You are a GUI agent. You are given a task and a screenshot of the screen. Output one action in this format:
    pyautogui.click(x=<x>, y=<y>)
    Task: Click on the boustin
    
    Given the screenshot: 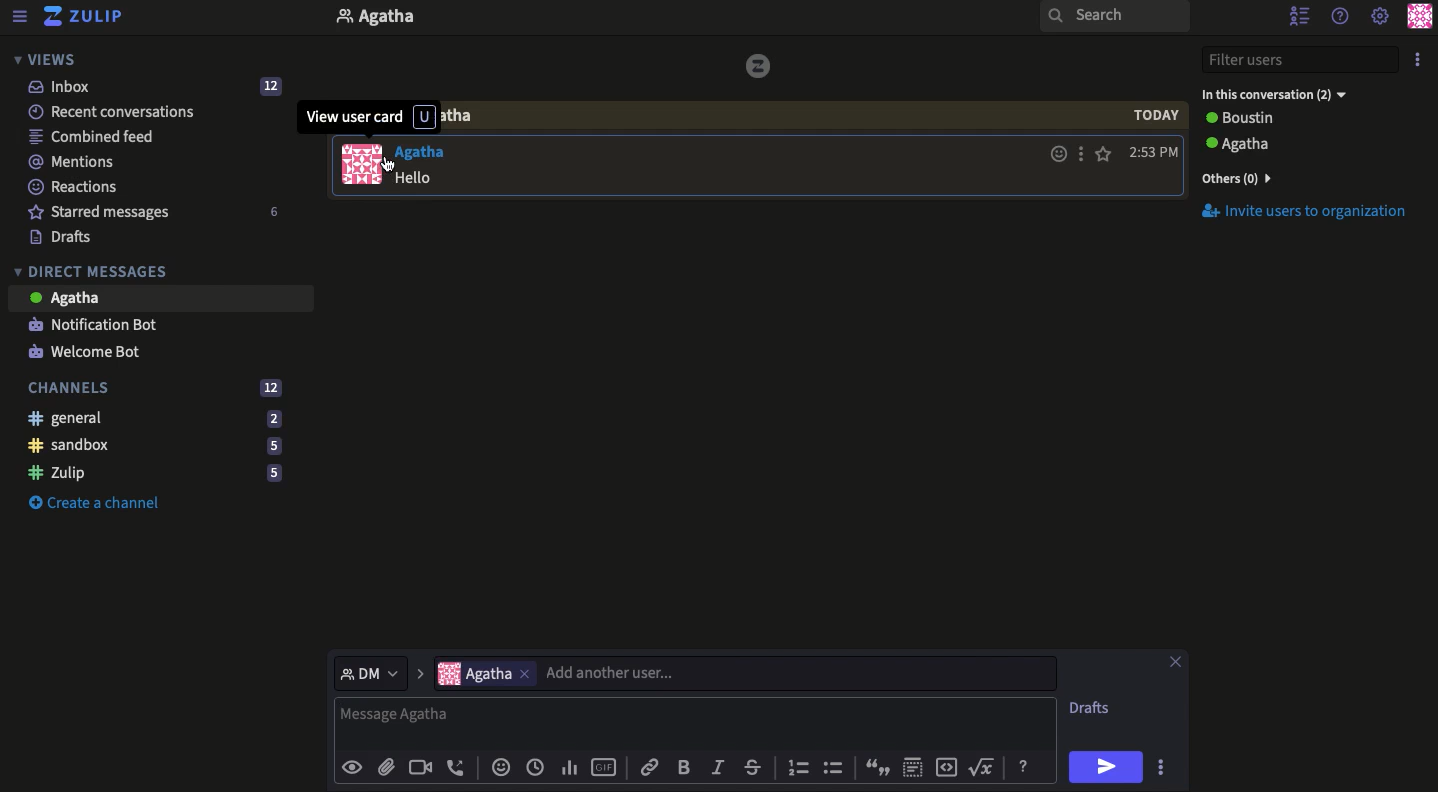 What is the action you would take?
    pyautogui.click(x=1292, y=119)
    